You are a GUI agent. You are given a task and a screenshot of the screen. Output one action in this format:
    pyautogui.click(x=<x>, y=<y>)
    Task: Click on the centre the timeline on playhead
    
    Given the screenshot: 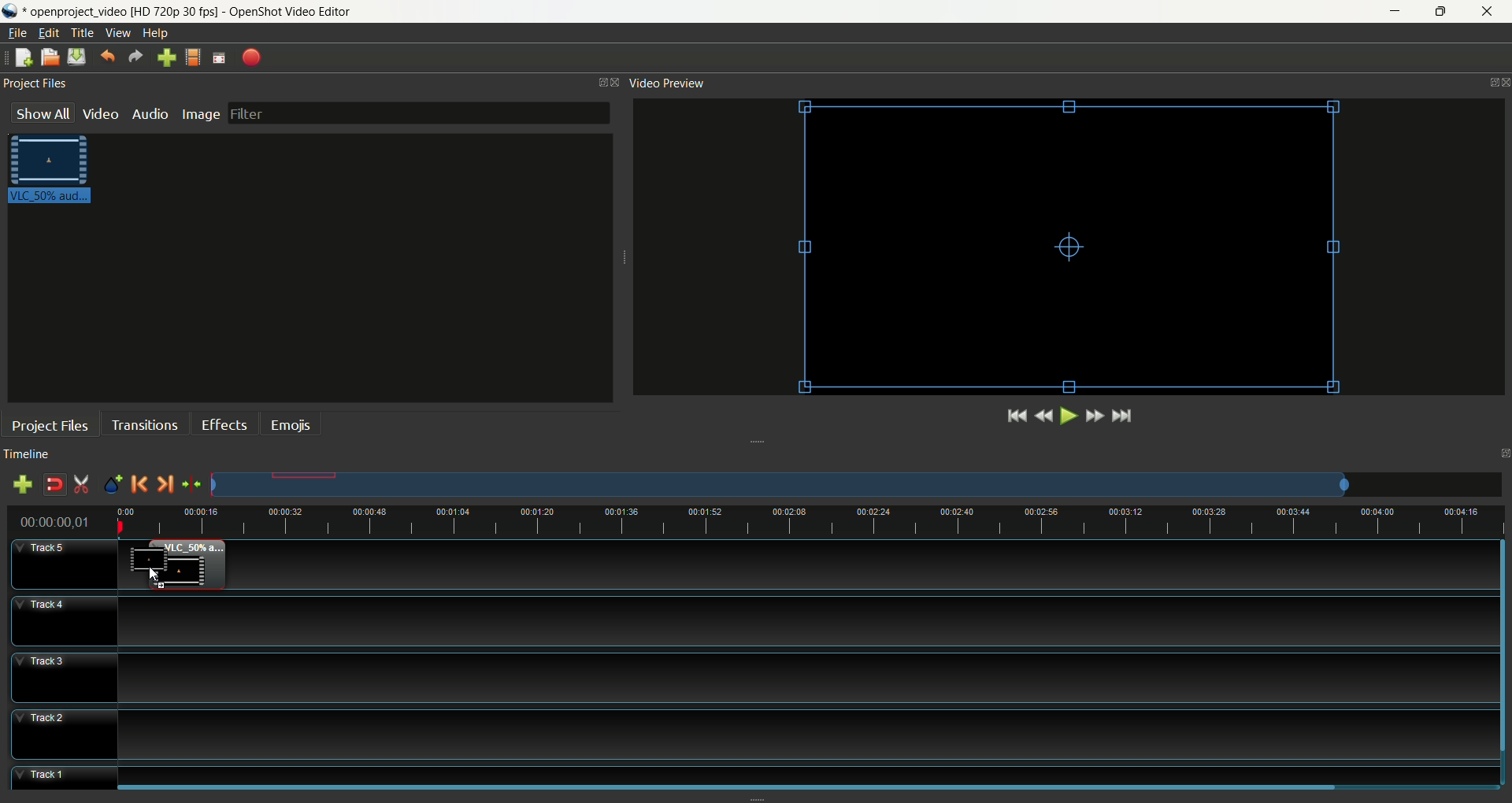 What is the action you would take?
    pyautogui.click(x=191, y=485)
    